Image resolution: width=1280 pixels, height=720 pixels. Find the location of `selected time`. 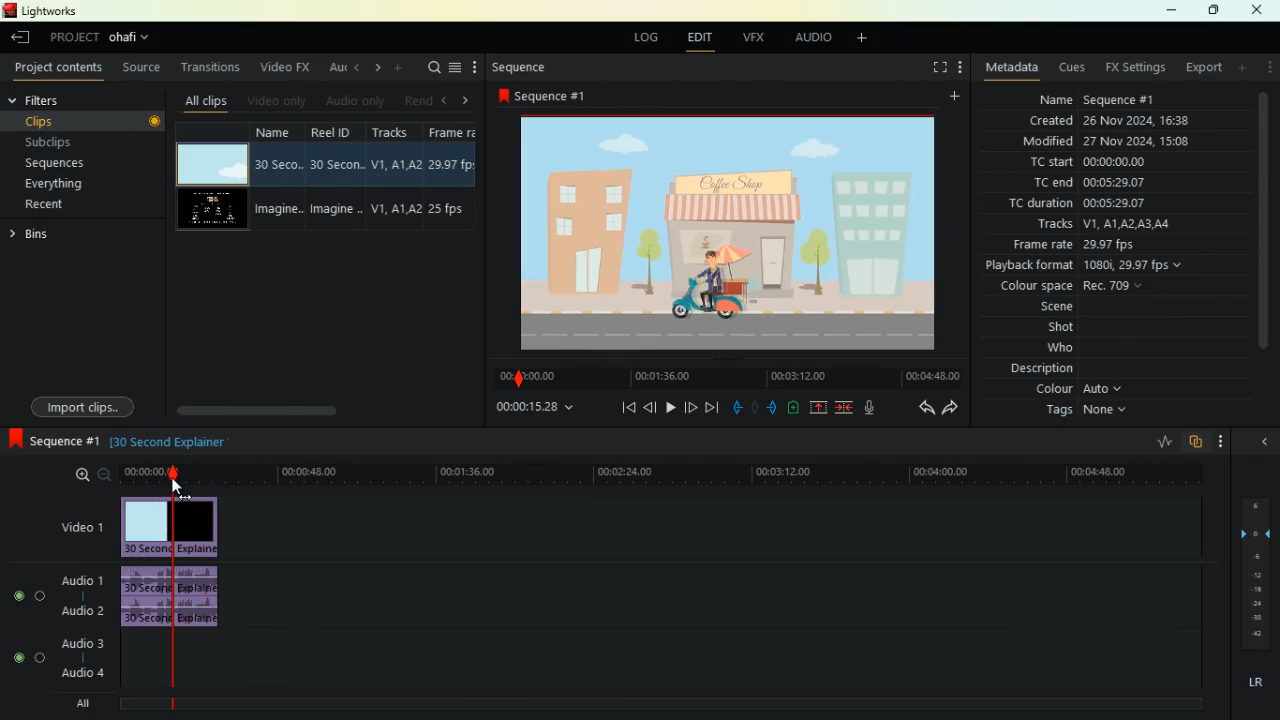

selected time is located at coordinates (173, 581).